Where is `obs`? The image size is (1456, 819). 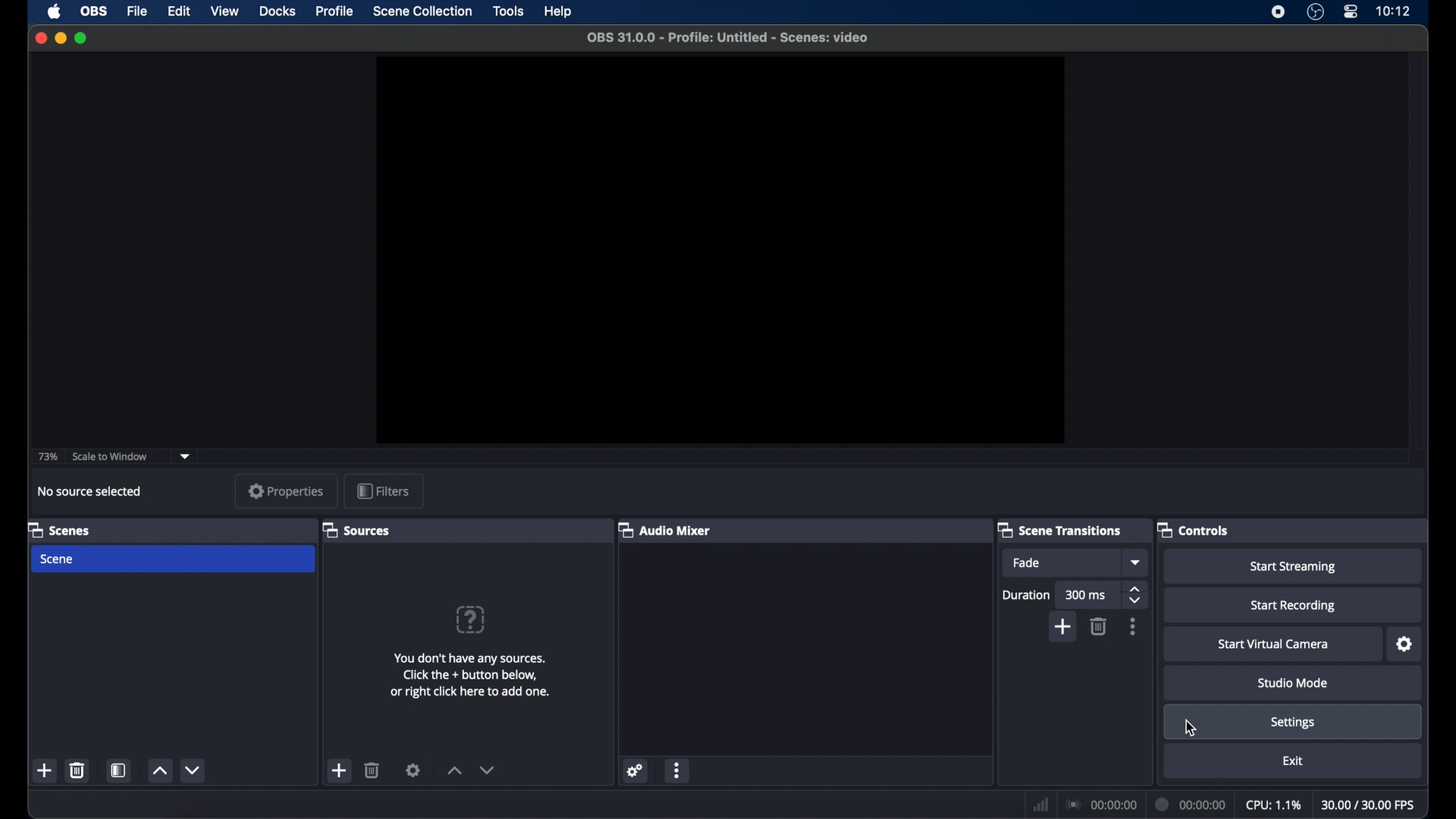
obs is located at coordinates (96, 11).